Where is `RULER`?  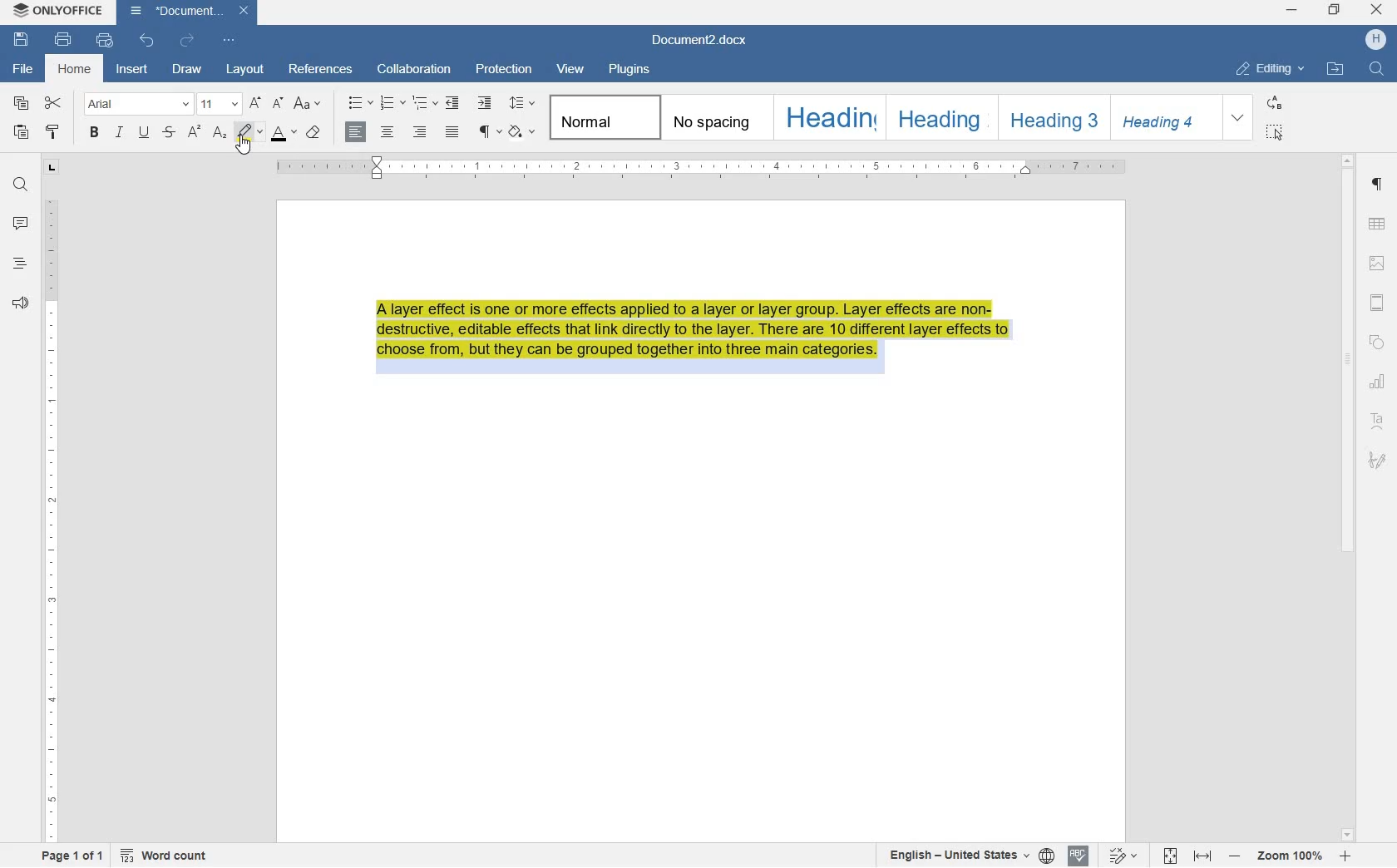 RULER is located at coordinates (49, 519).